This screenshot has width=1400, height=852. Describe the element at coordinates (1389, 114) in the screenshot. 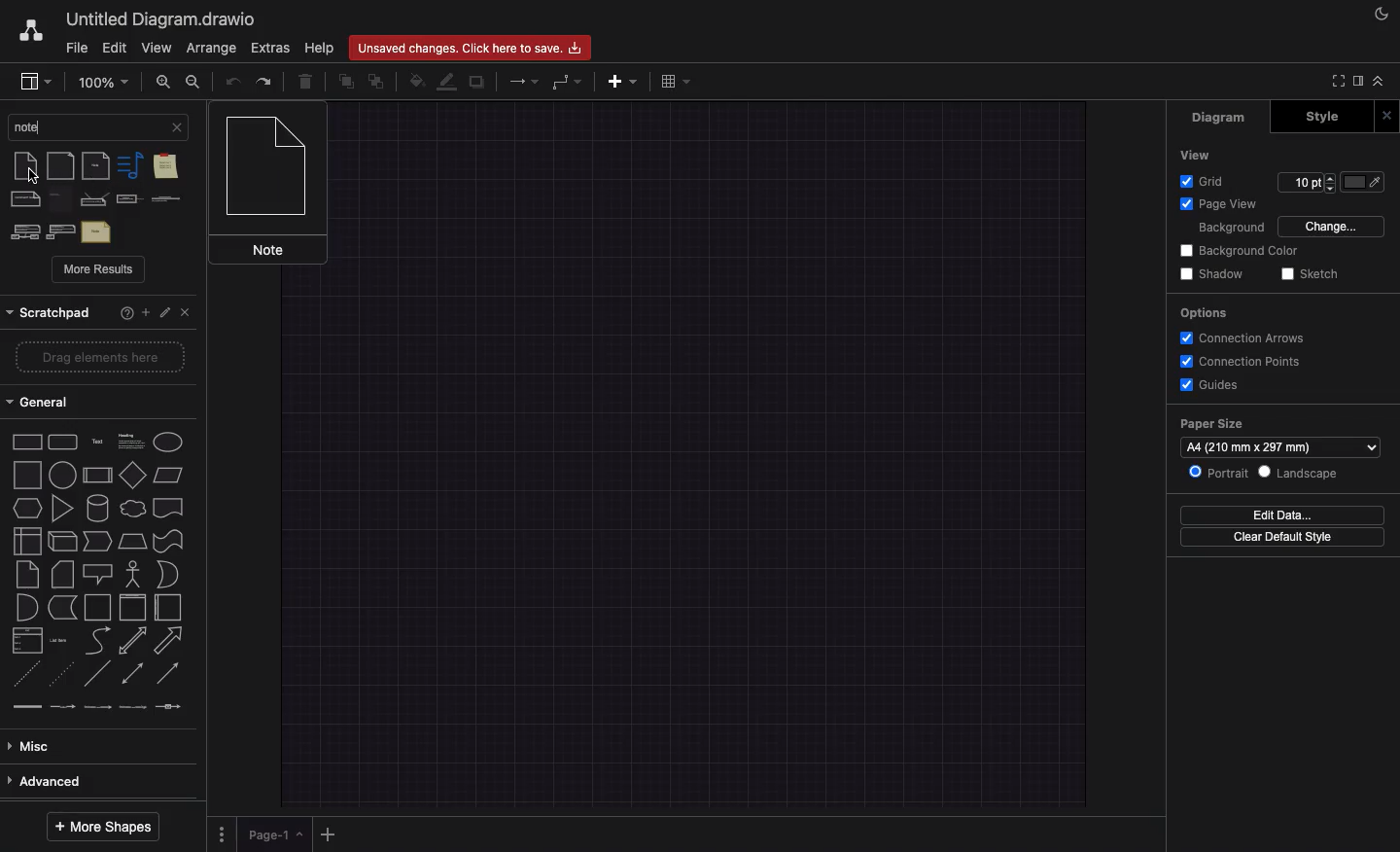

I see `Close ` at that location.